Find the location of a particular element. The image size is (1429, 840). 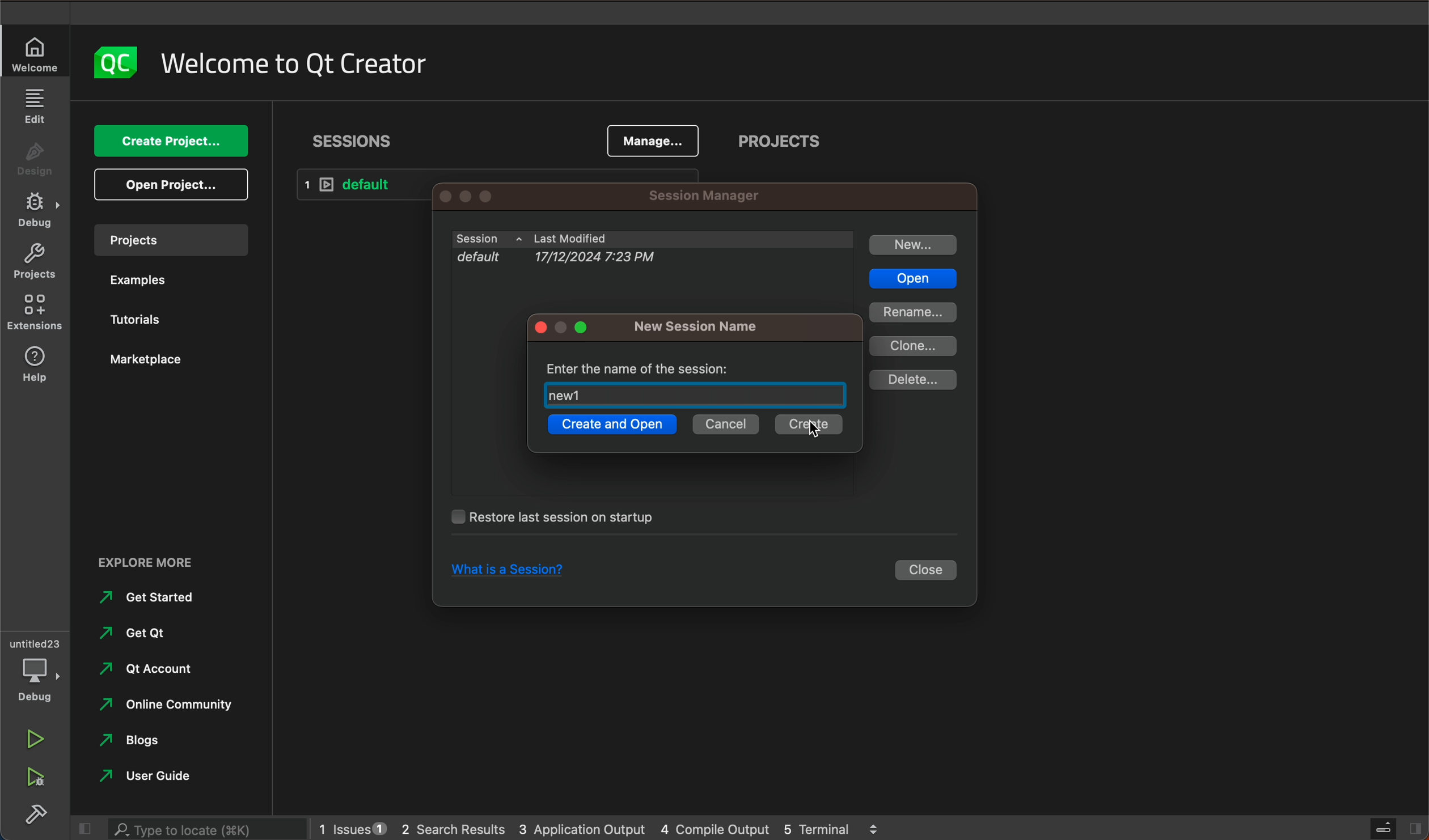

cursor is located at coordinates (814, 430).